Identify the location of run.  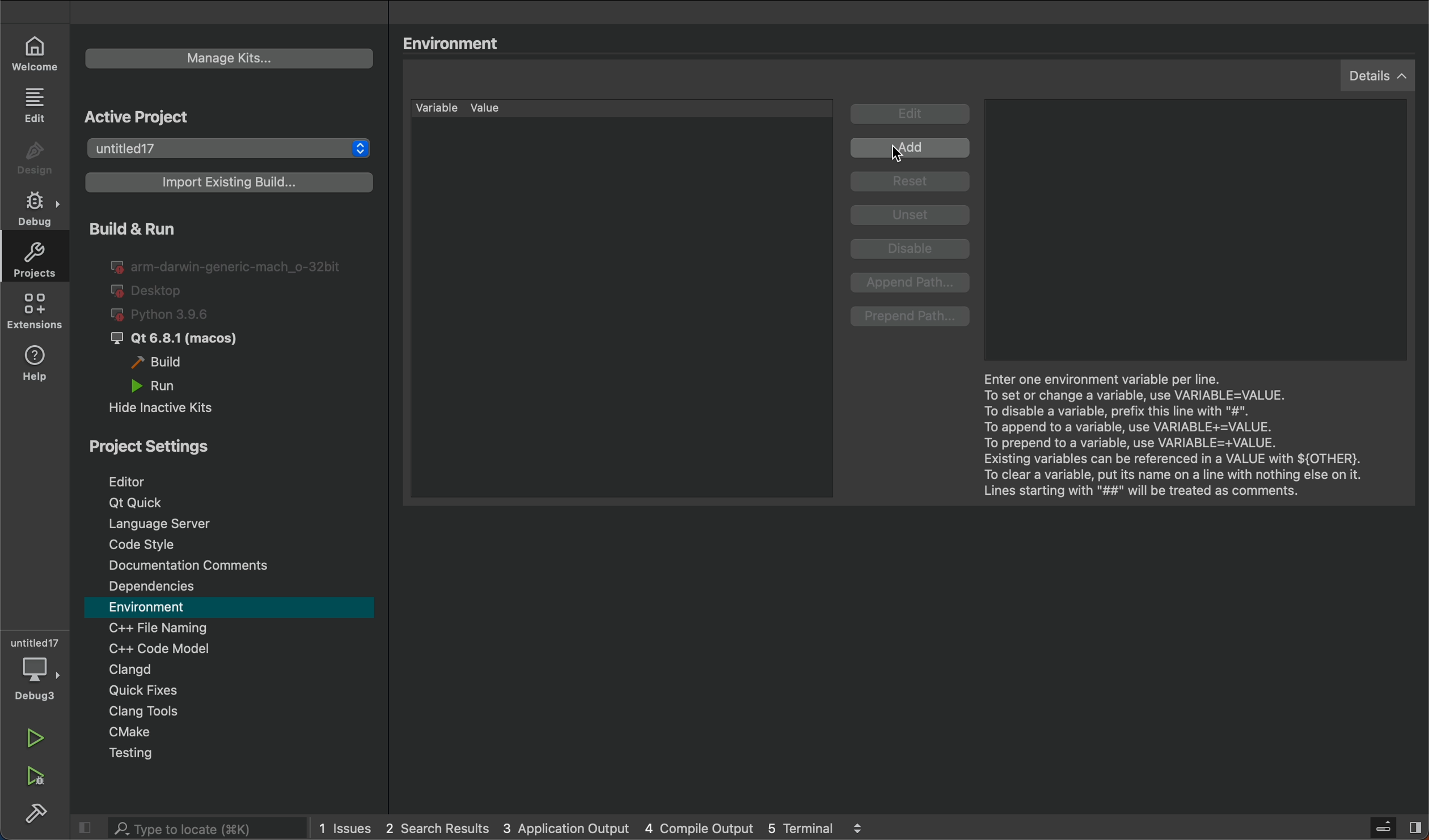
(43, 741).